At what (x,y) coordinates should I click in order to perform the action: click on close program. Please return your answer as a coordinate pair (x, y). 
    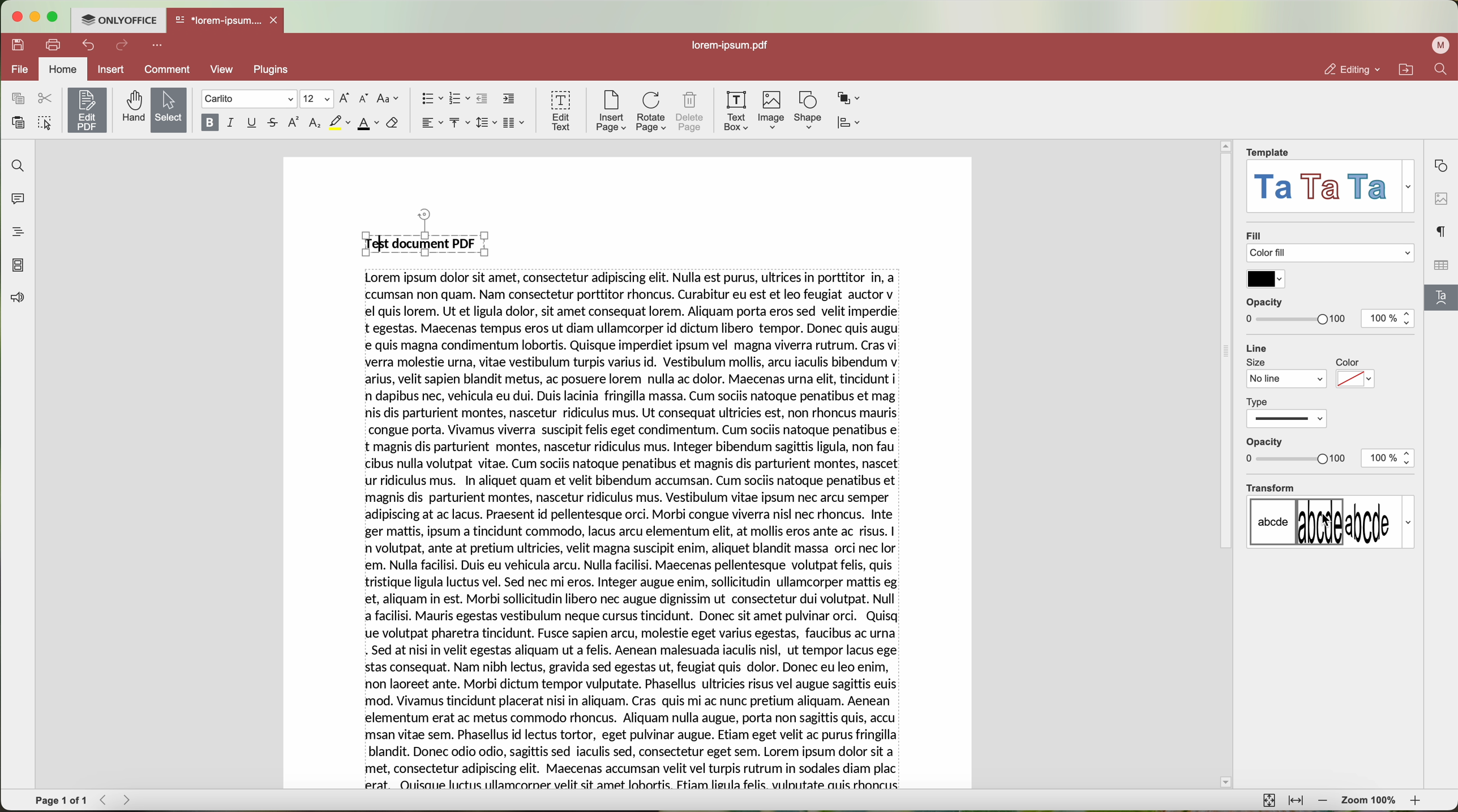
    Looking at the image, I should click on (19, 16).